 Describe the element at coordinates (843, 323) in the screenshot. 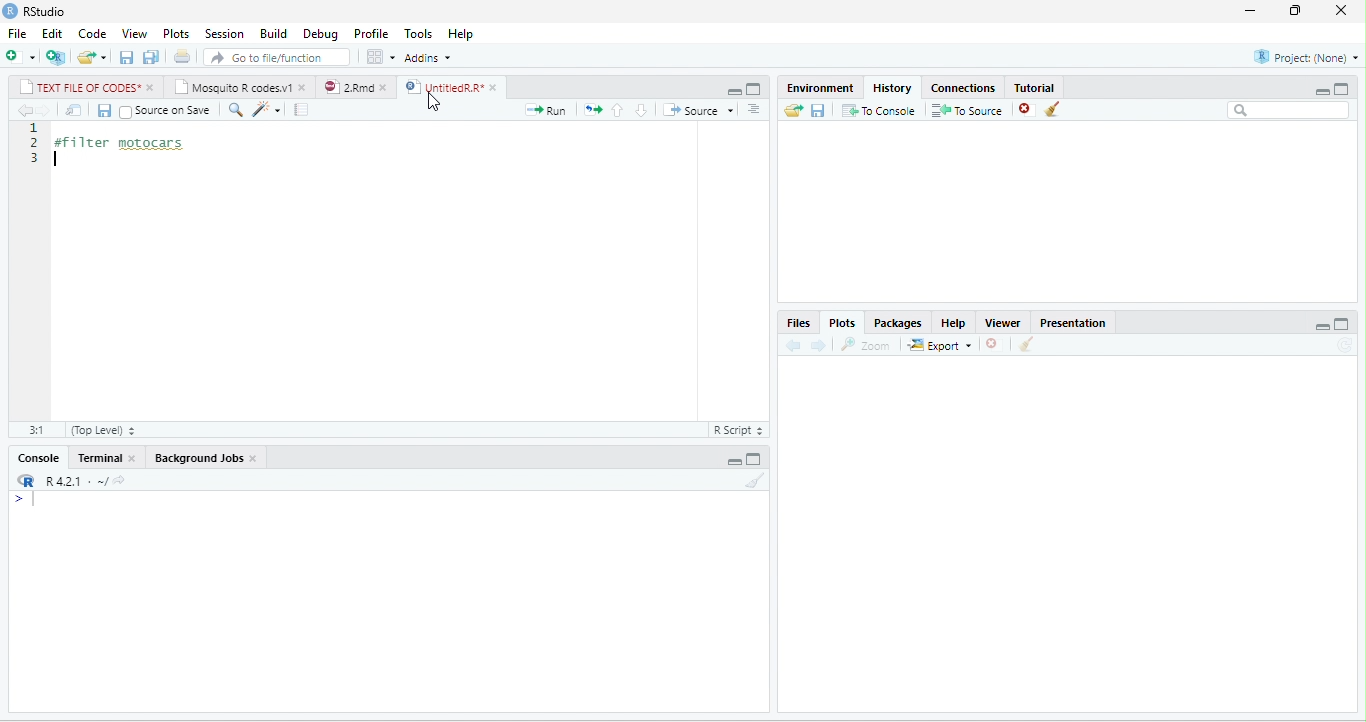

I see `Plots` at that location.